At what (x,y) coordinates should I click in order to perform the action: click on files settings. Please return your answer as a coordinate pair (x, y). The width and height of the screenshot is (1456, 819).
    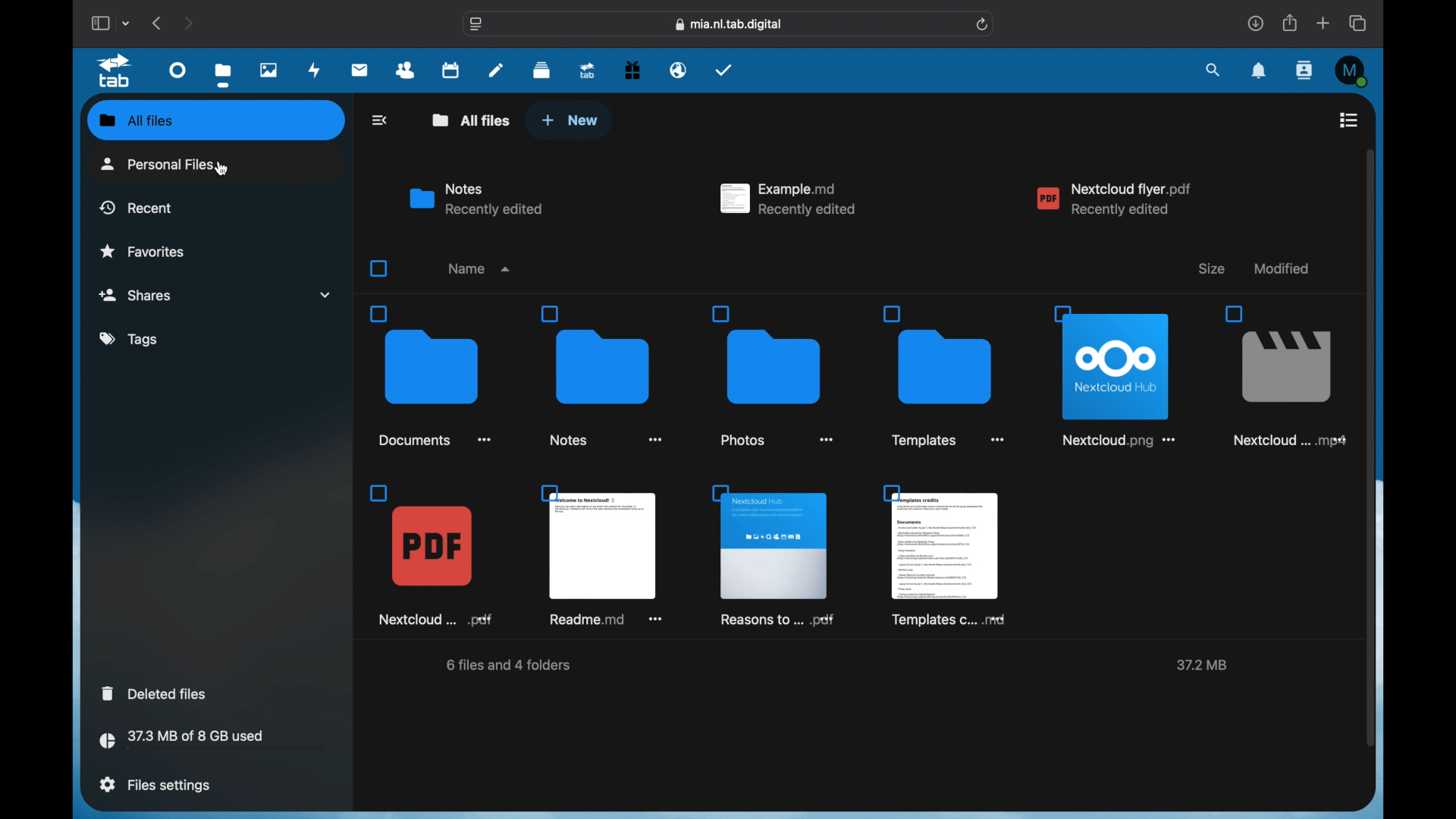
    Looking at the image, I should click on (155, 785).